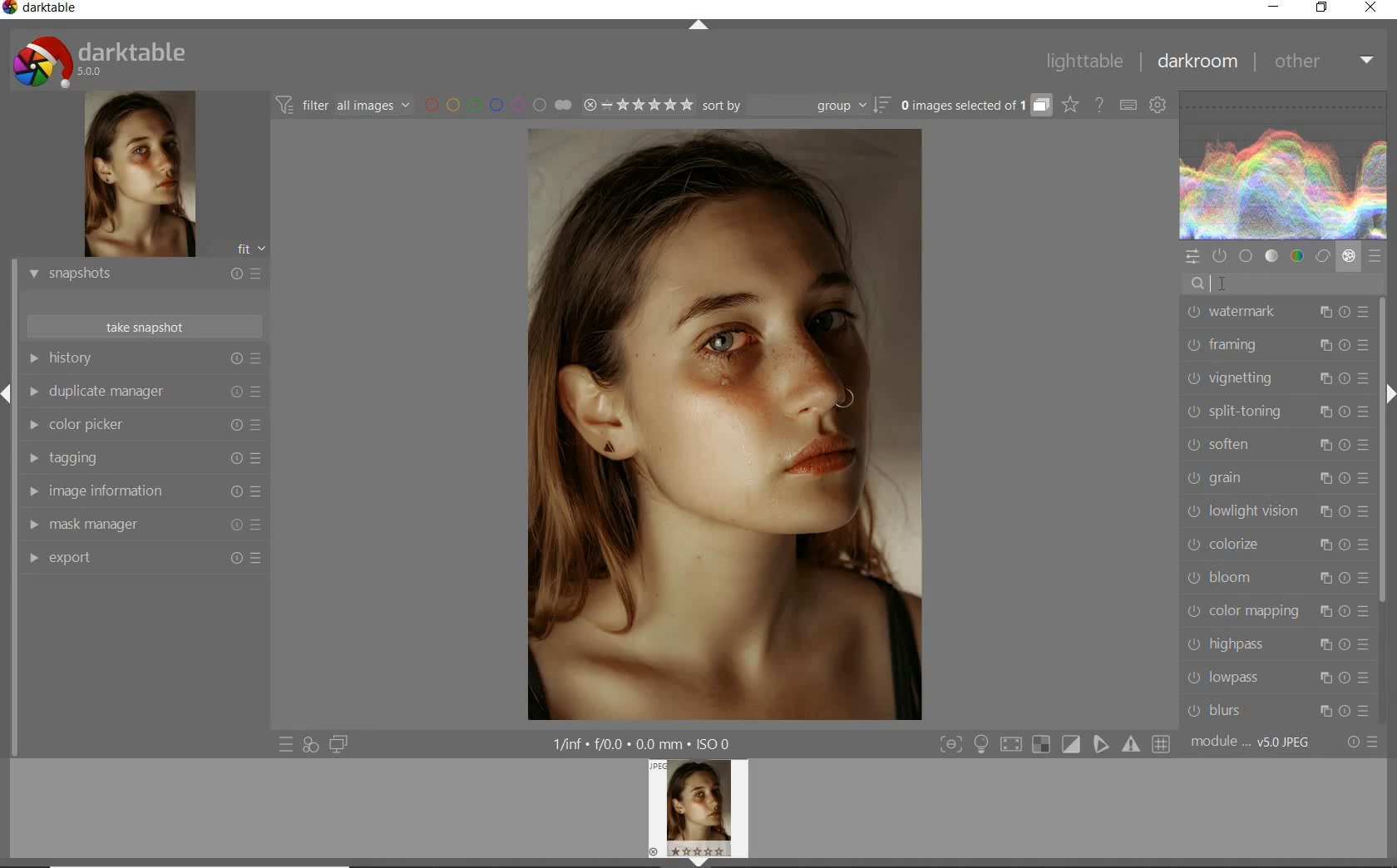  What do you see at coordinates (1275, 510) in the screenshot?
I see `lowlight vision` at bounding box center [1275, 510].